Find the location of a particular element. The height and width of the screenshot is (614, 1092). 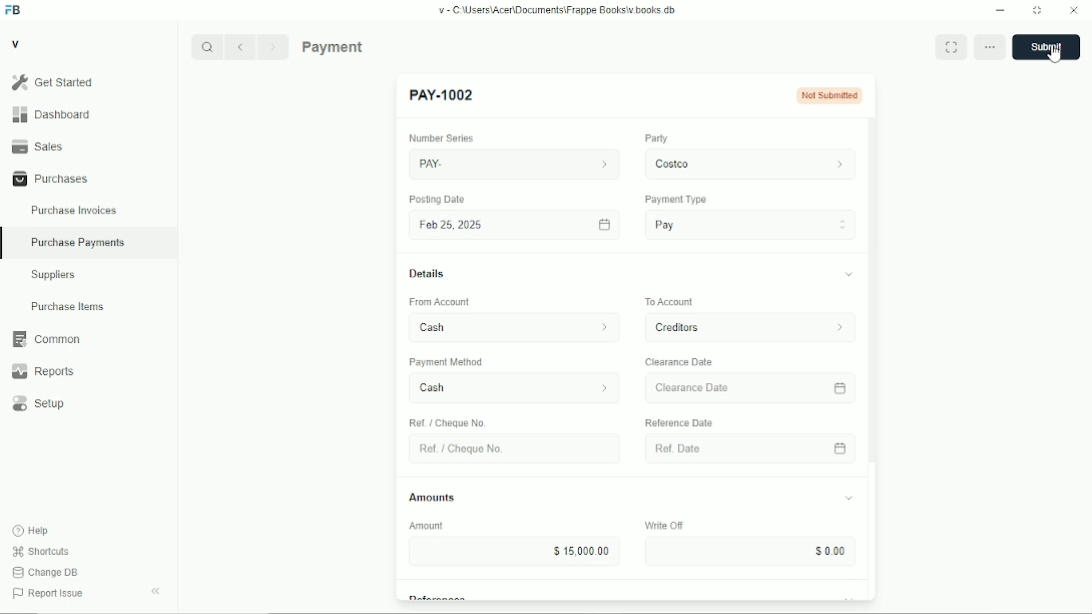

Next is located at coordinates (274, 47).